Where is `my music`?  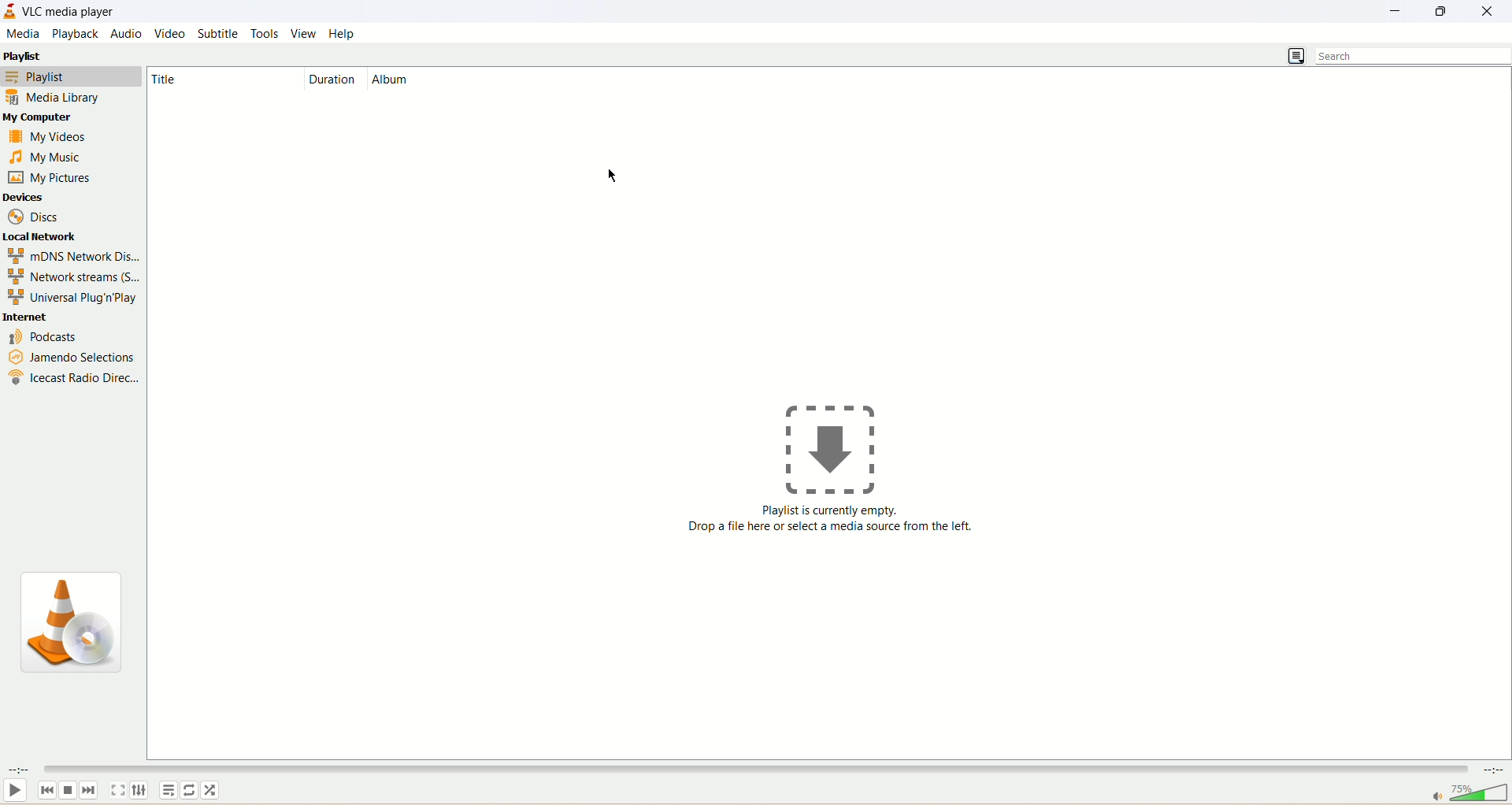
my music is located at coordinates (47, 155).